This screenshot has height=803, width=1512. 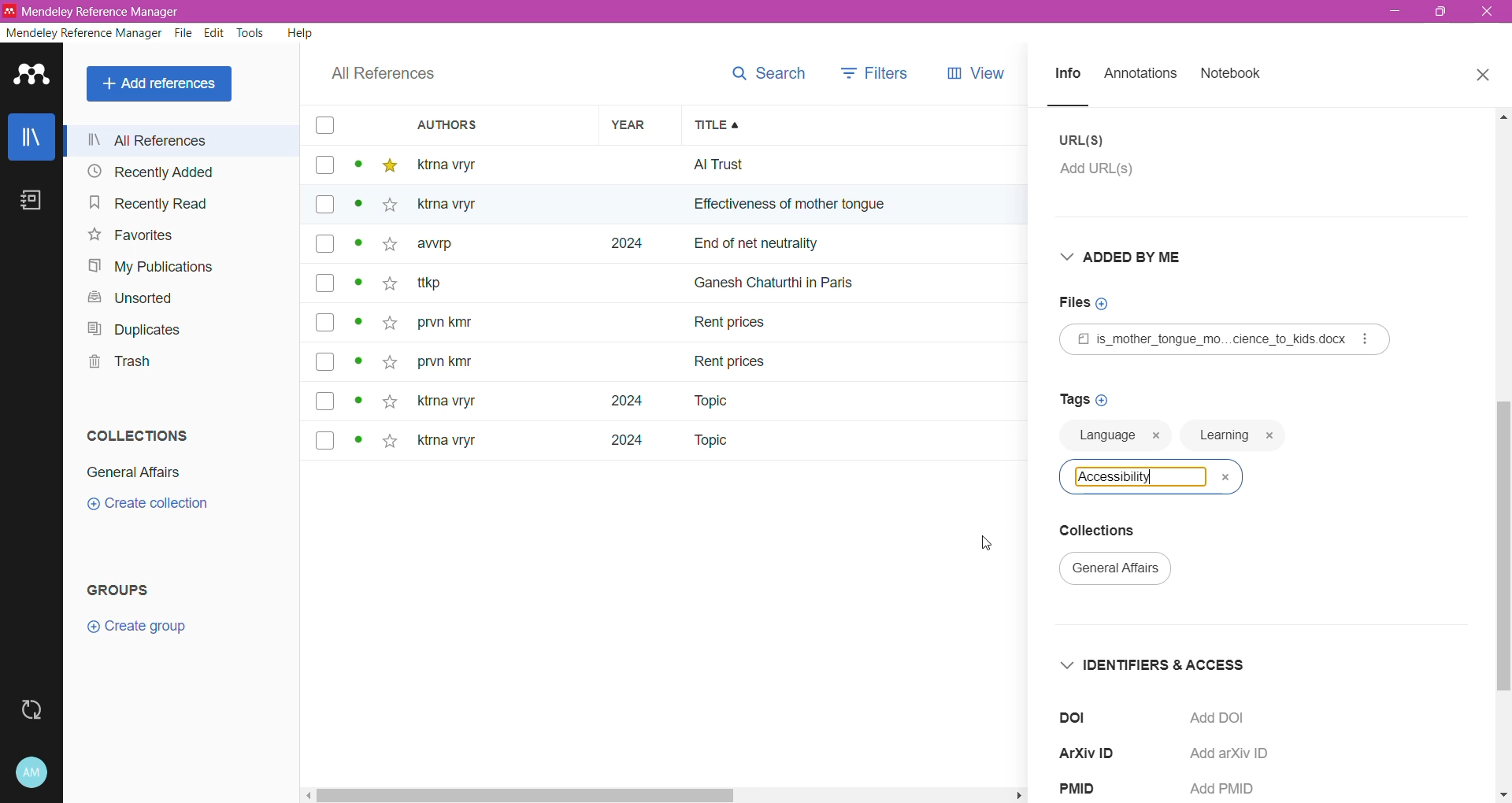 What do you see at coordinates (389, 443) in the screenshot?
I see `star` at bounding box center [389, 443].